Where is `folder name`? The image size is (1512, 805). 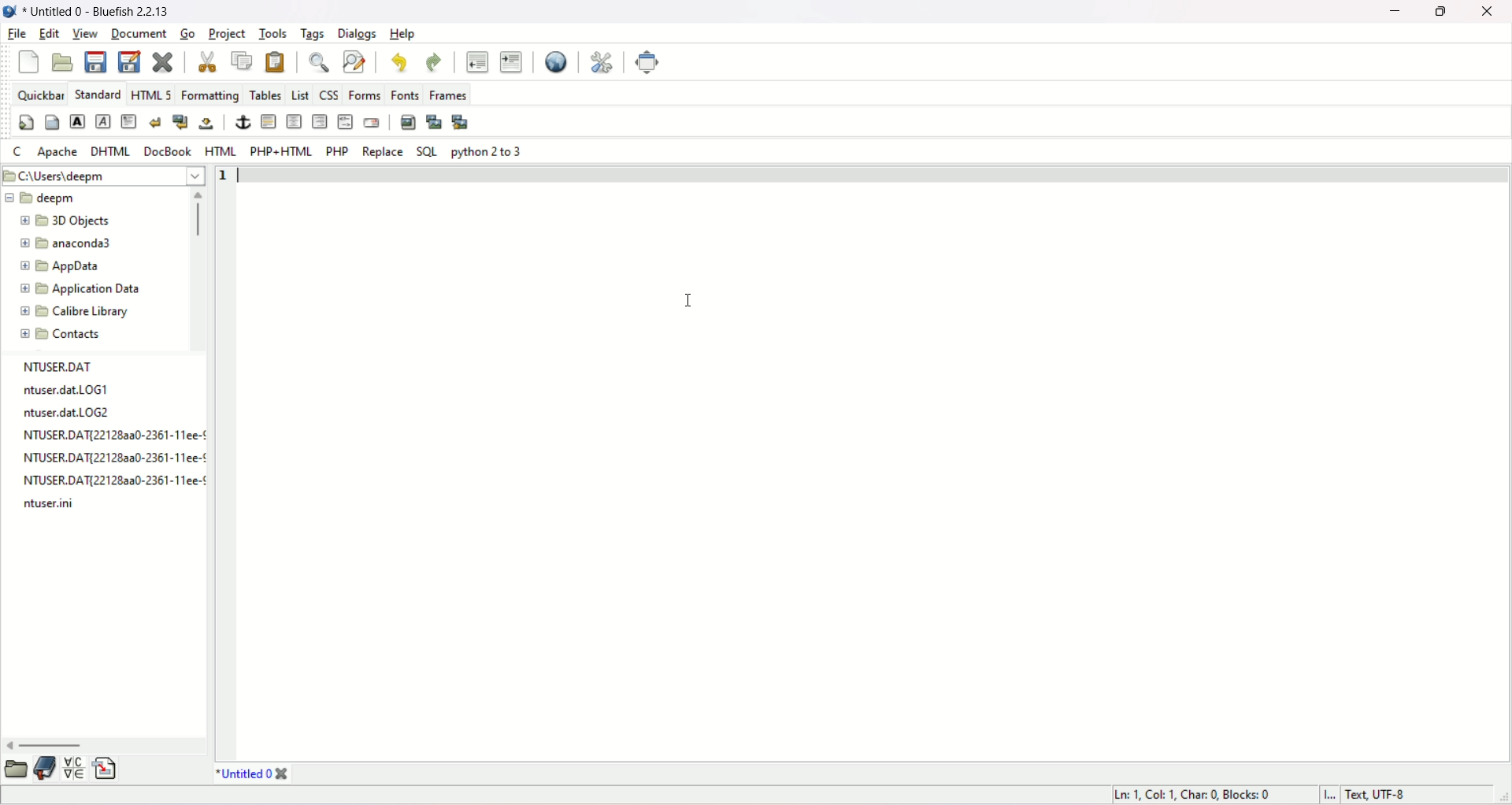
folder name is located at coordinates (80, 221).